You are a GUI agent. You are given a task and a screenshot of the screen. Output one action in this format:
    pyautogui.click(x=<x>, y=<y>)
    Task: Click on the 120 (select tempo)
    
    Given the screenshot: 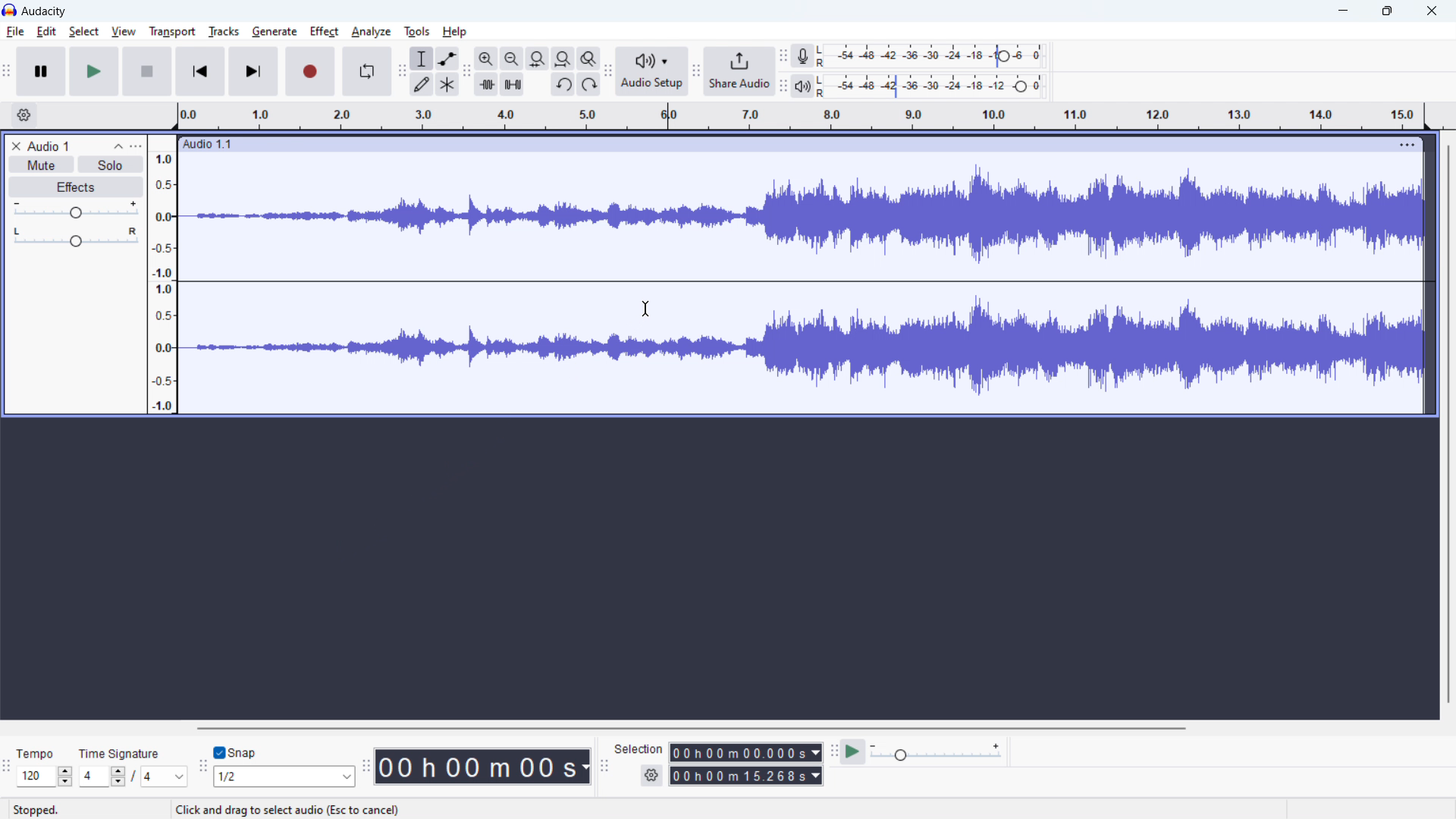 What is the action you would take?
    pyautogui.click(x=45, y=777)
    